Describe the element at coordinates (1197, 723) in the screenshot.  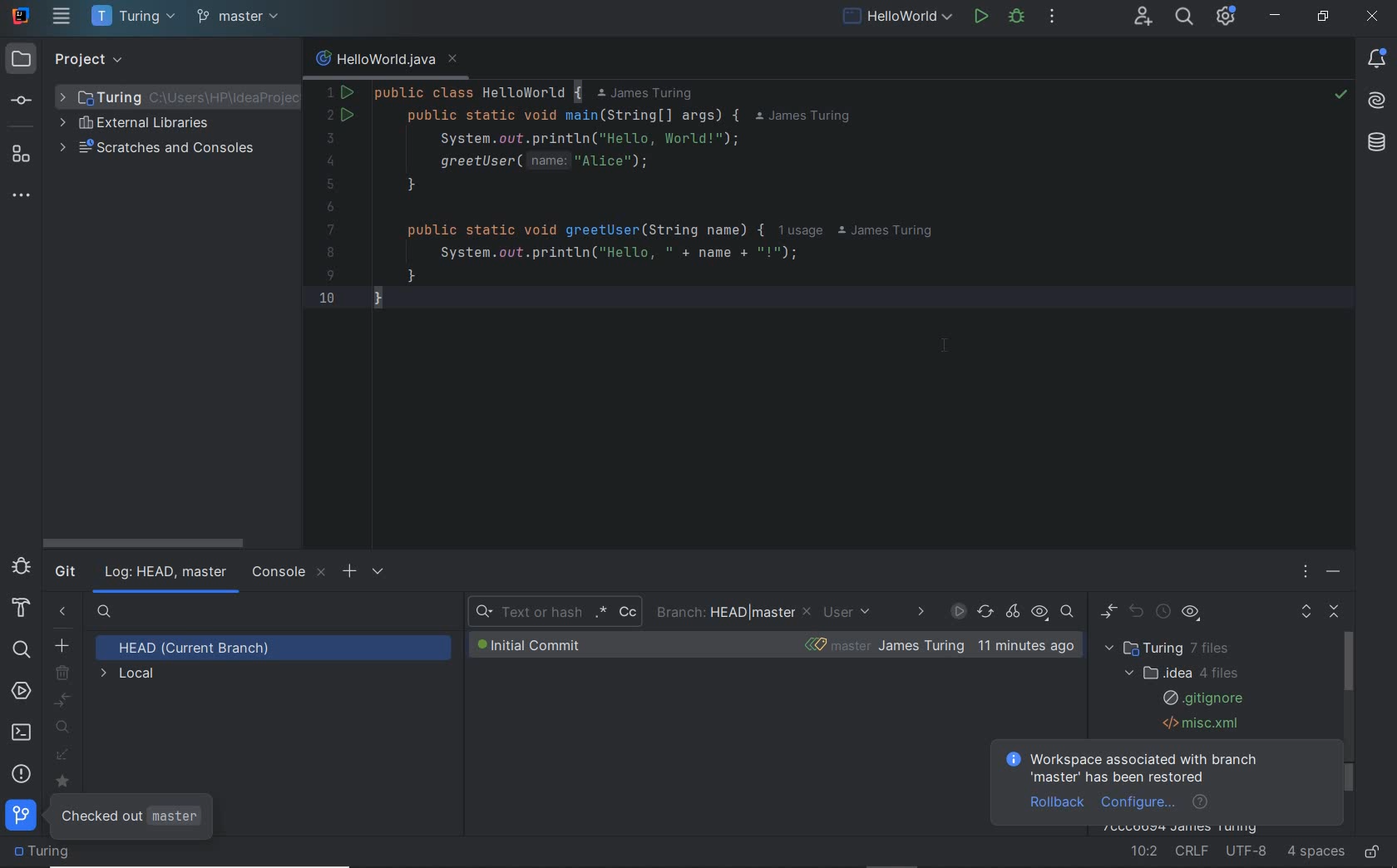
I see `.misc.xml` at that location.